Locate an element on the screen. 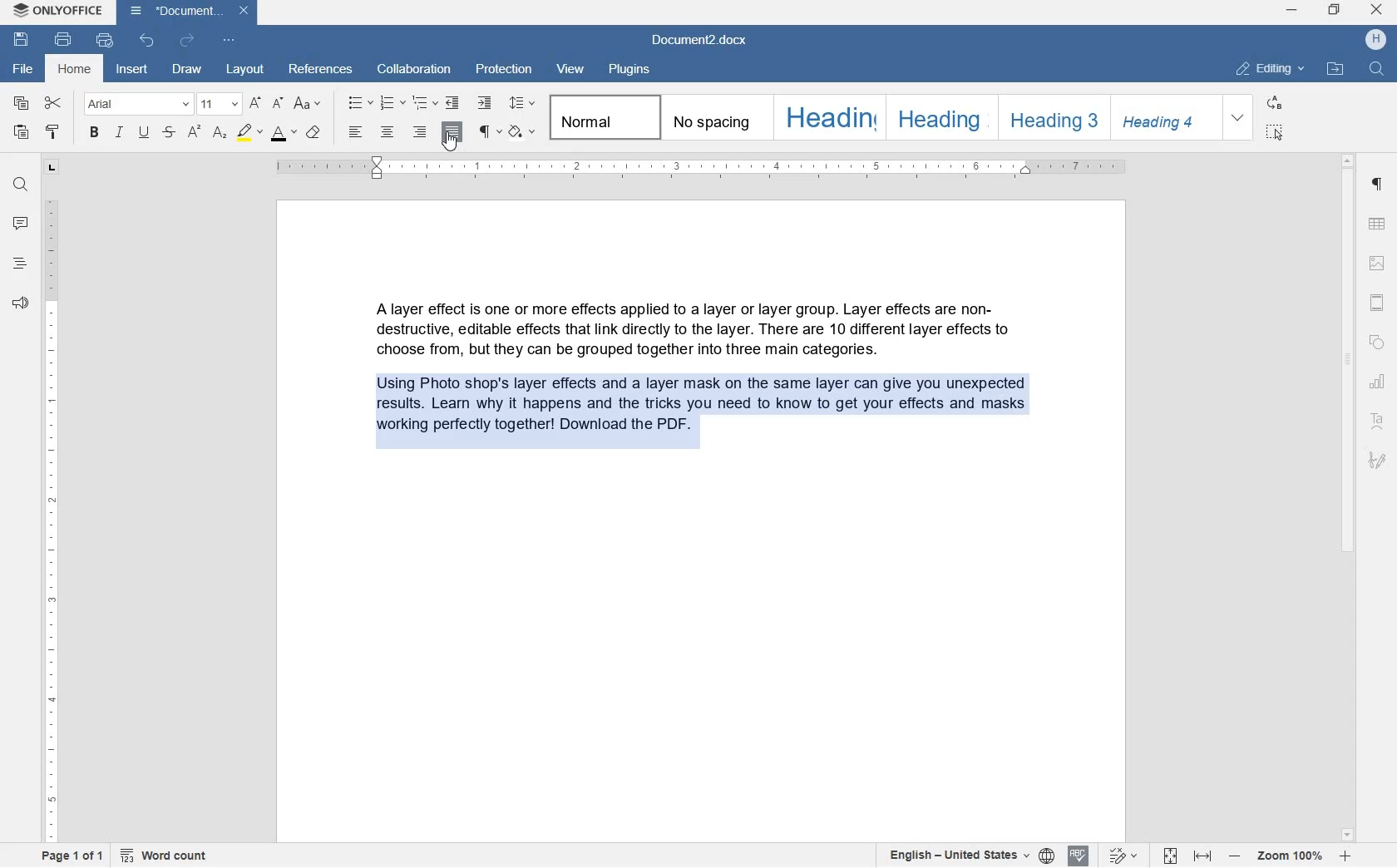 The height and width of the screenshot is (868, 1397). COPY is located at coordinates (21, 104).